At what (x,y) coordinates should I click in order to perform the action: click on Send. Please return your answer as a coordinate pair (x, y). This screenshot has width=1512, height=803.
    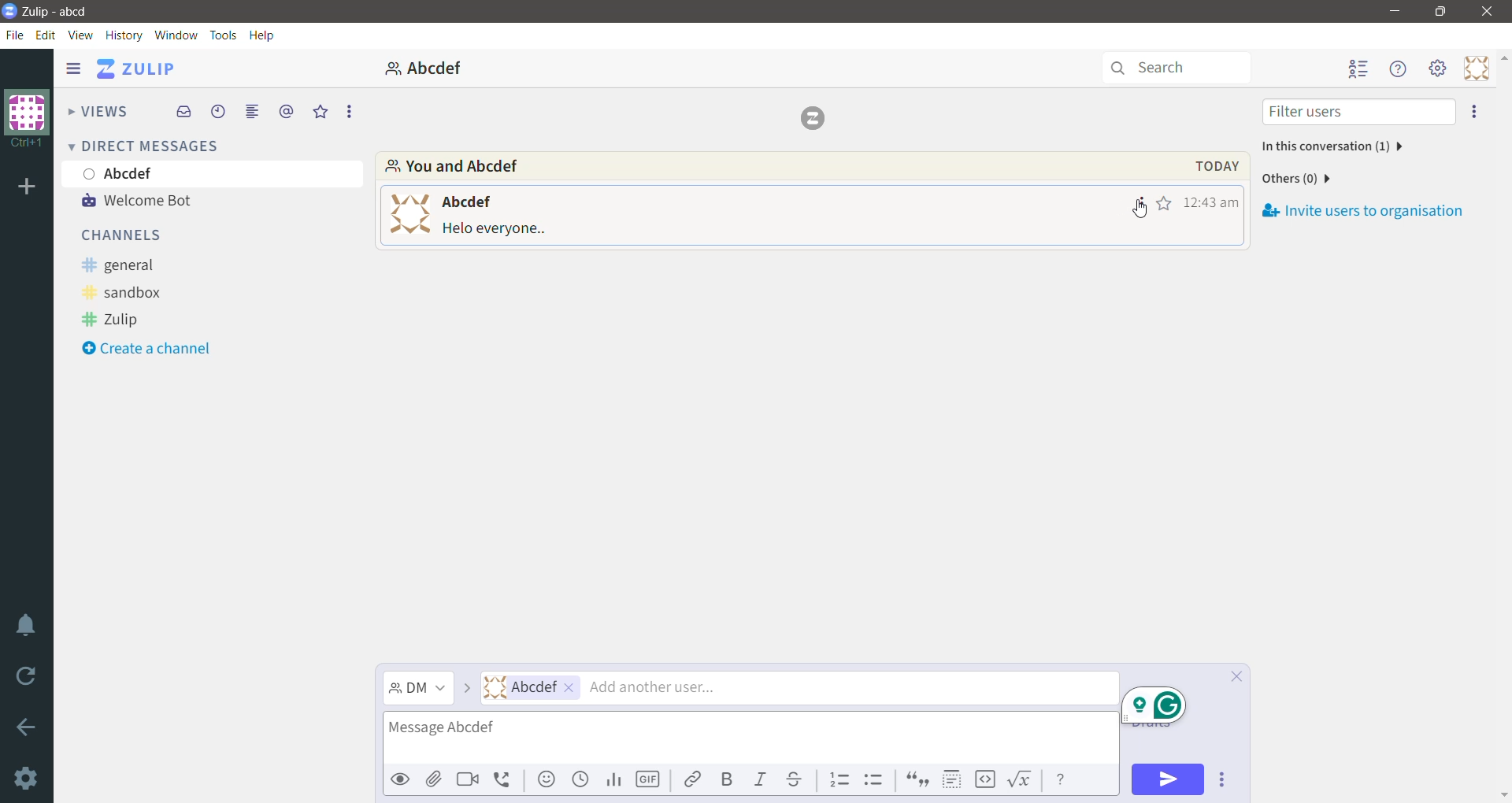
    Looking at the image, I should click on (1168, 779).